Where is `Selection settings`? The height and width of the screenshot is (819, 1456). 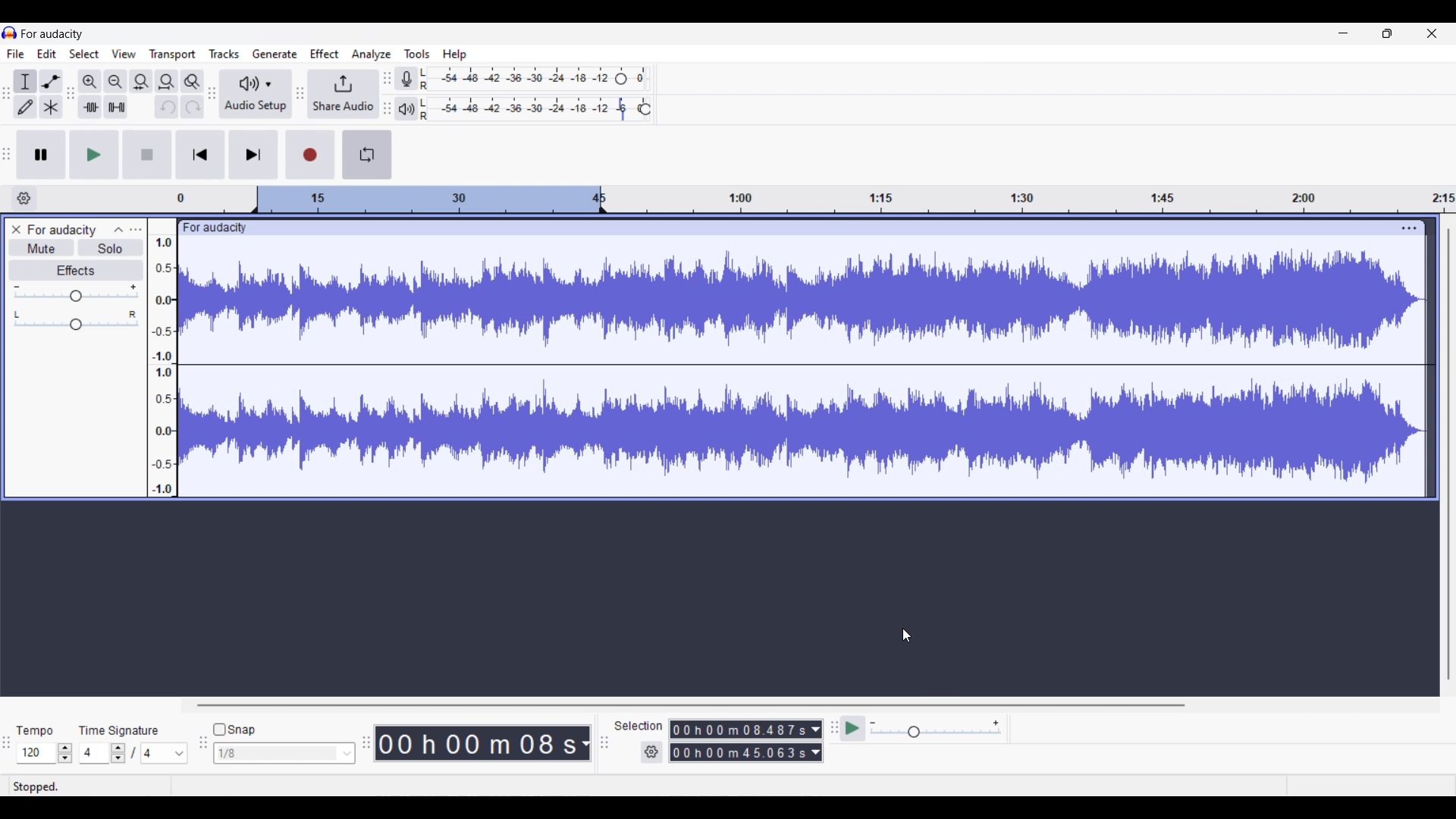
Selection settings is located at coordinates (652, 752).